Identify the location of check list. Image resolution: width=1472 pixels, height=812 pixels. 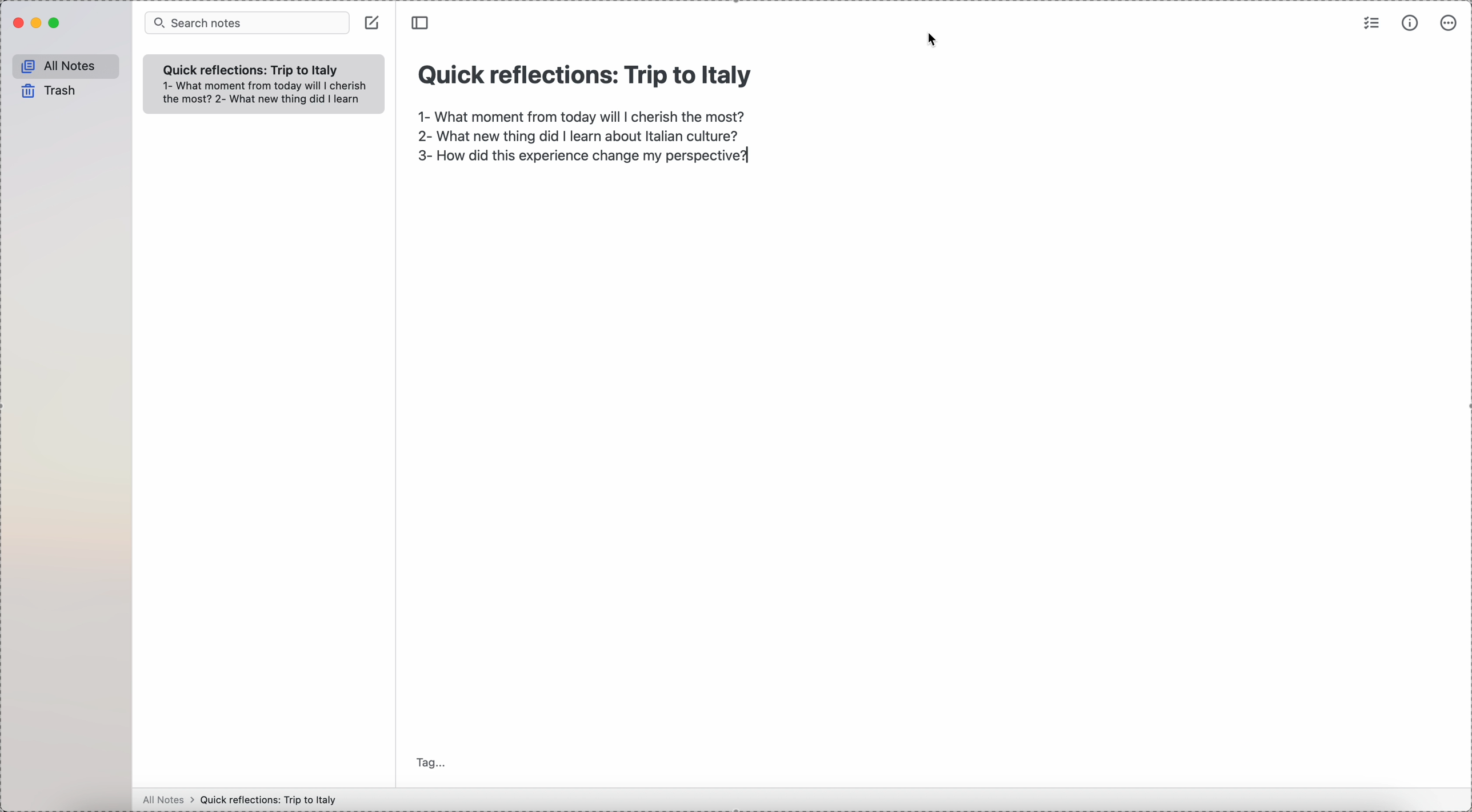
(1372, 22).